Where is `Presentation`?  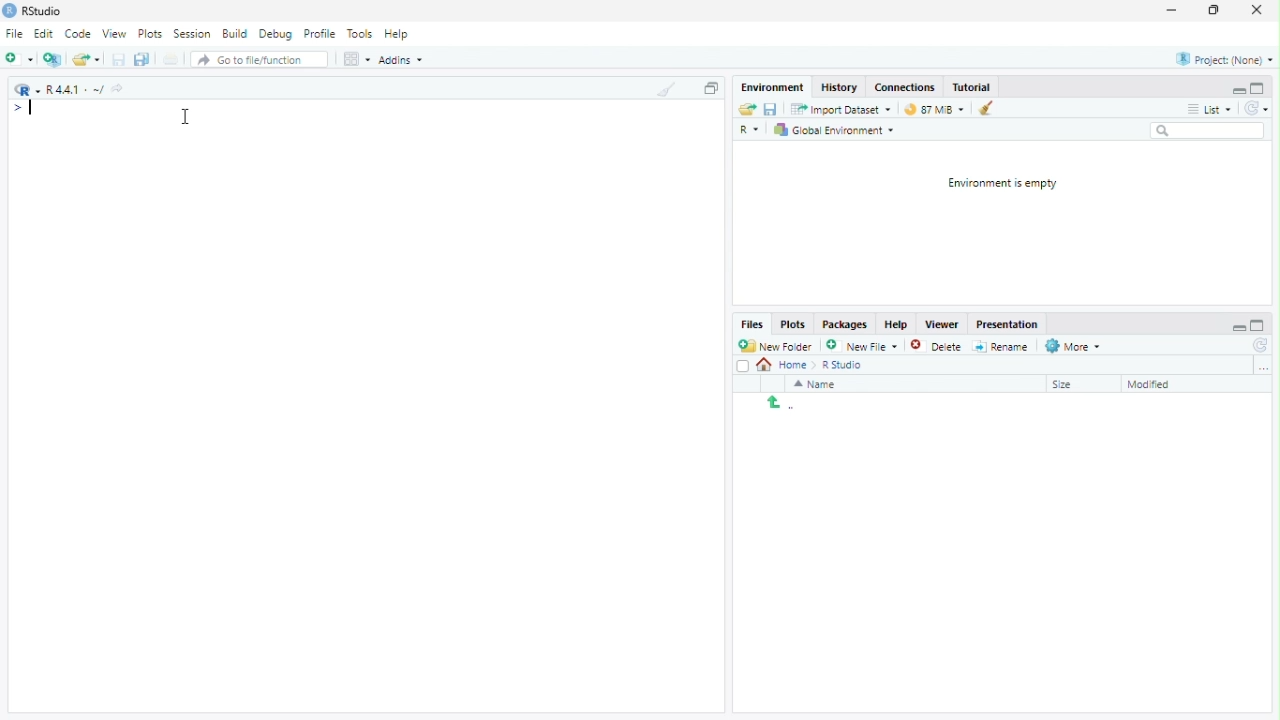 Presentation is located at coordinates (1007, 325).